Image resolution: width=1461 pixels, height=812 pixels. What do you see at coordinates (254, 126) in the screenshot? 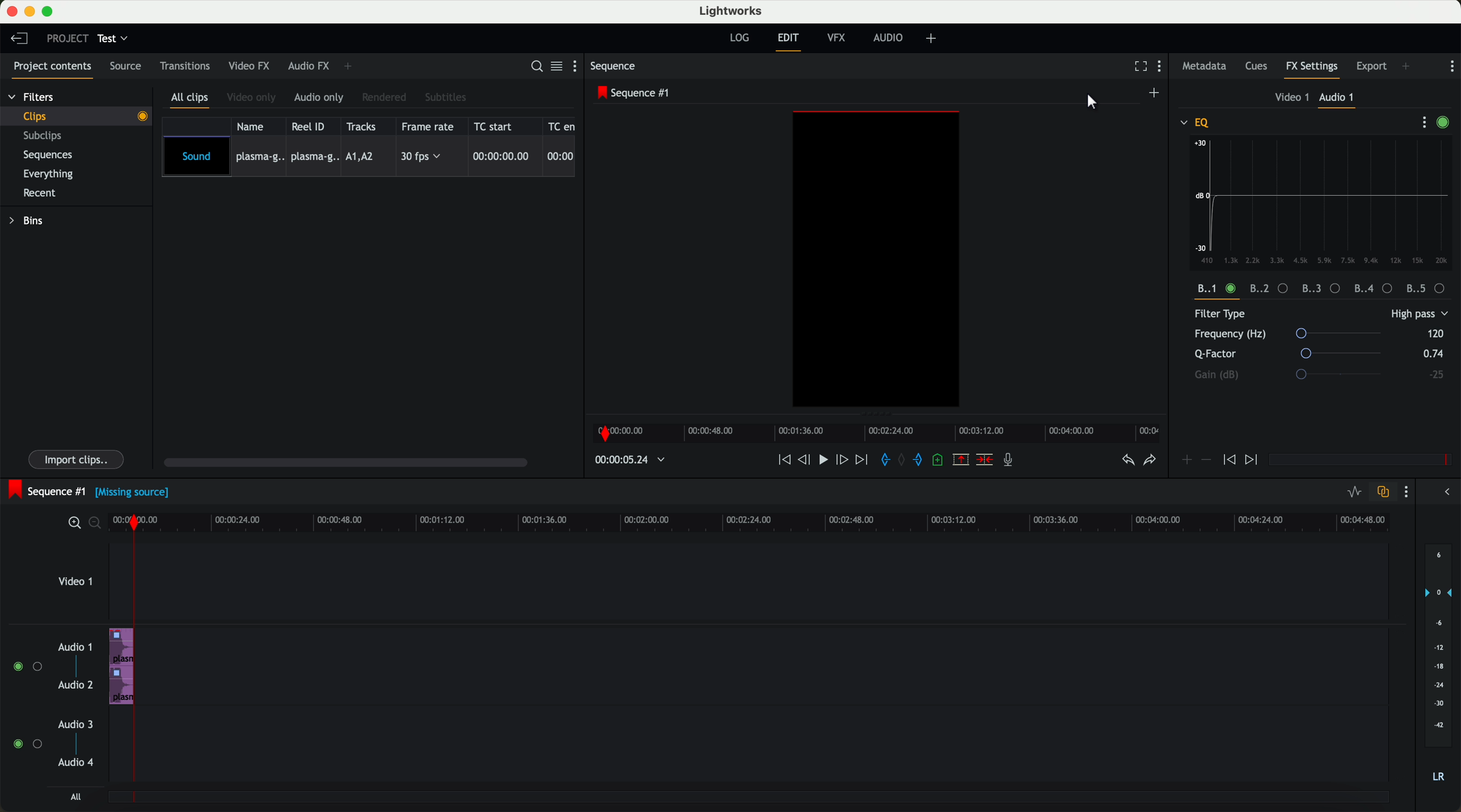
I see `name` at bounding box center [254, 126].